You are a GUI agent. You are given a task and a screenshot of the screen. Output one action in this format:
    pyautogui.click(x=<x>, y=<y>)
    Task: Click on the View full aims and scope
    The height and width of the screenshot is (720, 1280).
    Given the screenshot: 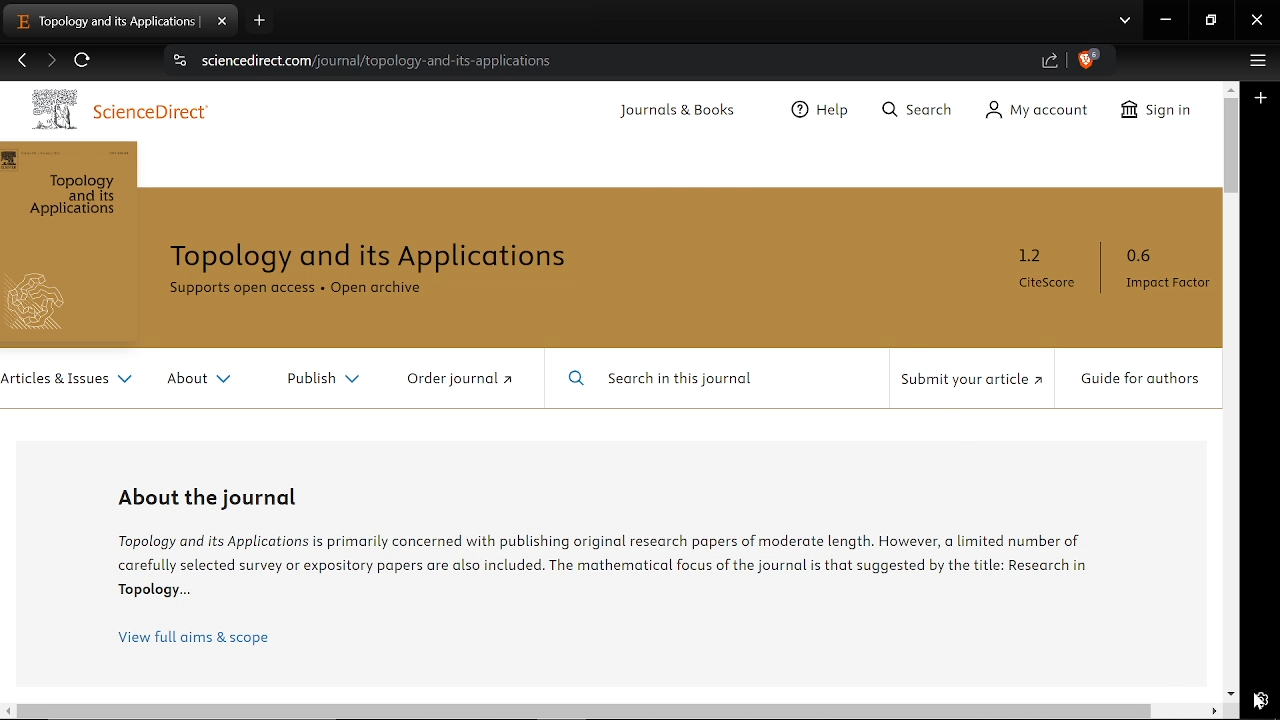 What is the action you would take?
    pyautogui.click(x=192, y=639)
    